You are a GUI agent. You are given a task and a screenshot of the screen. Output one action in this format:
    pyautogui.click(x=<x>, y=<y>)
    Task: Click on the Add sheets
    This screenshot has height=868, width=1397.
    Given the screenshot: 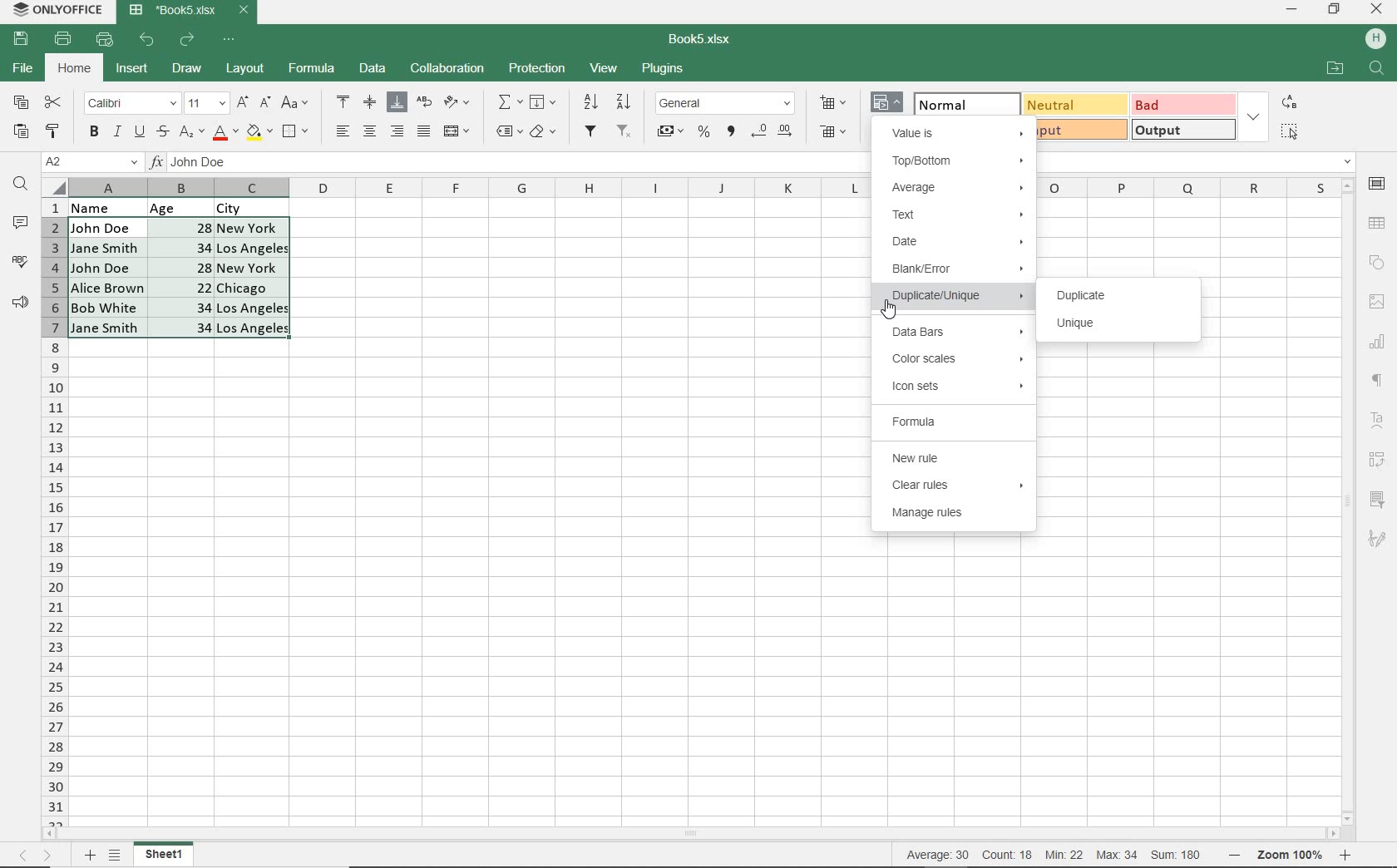 What is the action you would take?
    pyautogui.click(x=87, y=855)
    